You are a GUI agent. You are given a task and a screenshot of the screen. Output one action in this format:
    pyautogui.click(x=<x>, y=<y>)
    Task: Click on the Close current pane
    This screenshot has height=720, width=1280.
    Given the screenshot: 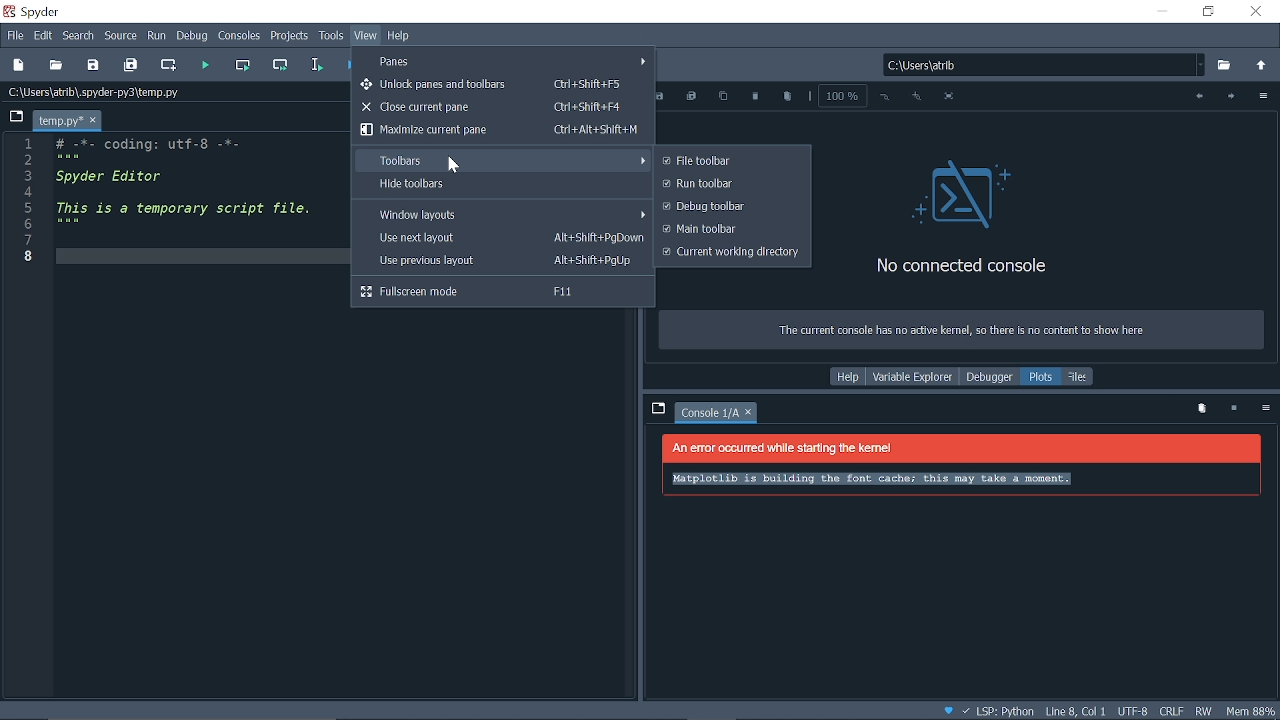 What is the action you would take?
    pyautogui.click(x=501, y=107)
    